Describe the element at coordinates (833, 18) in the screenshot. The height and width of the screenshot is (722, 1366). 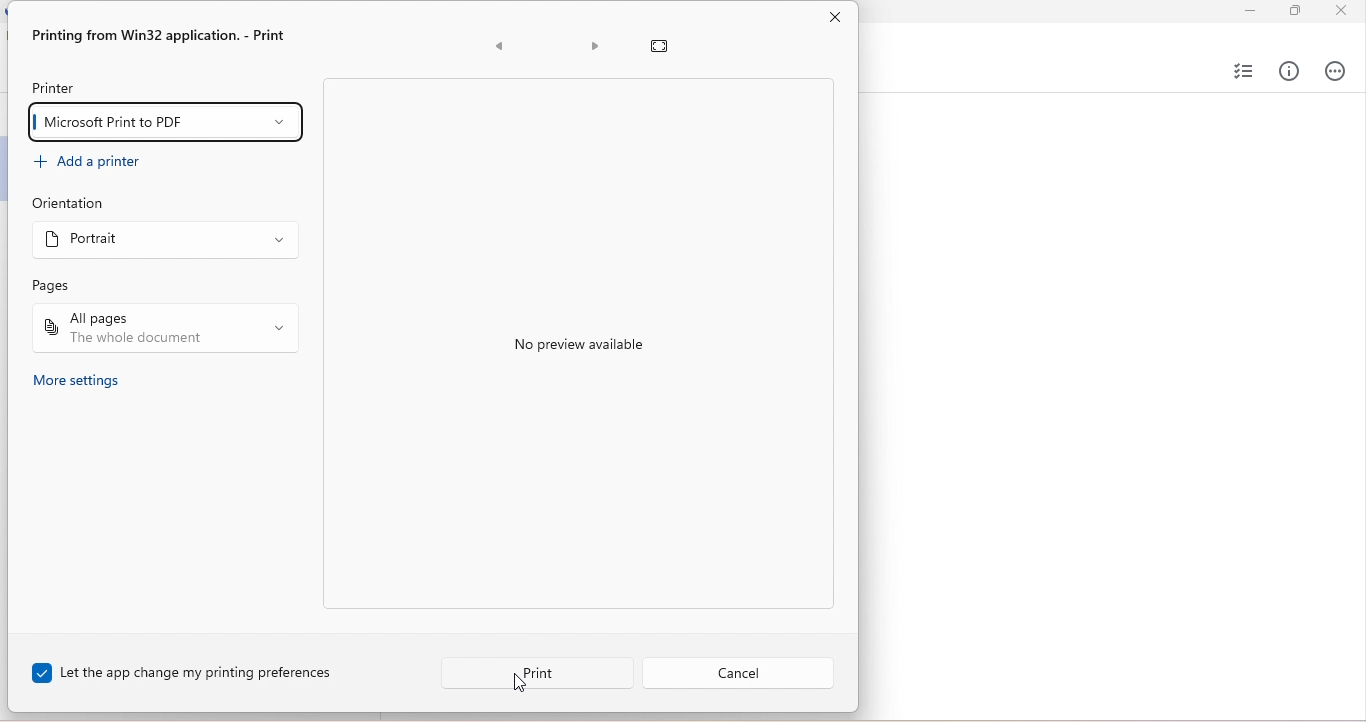
I see `close` at that location.